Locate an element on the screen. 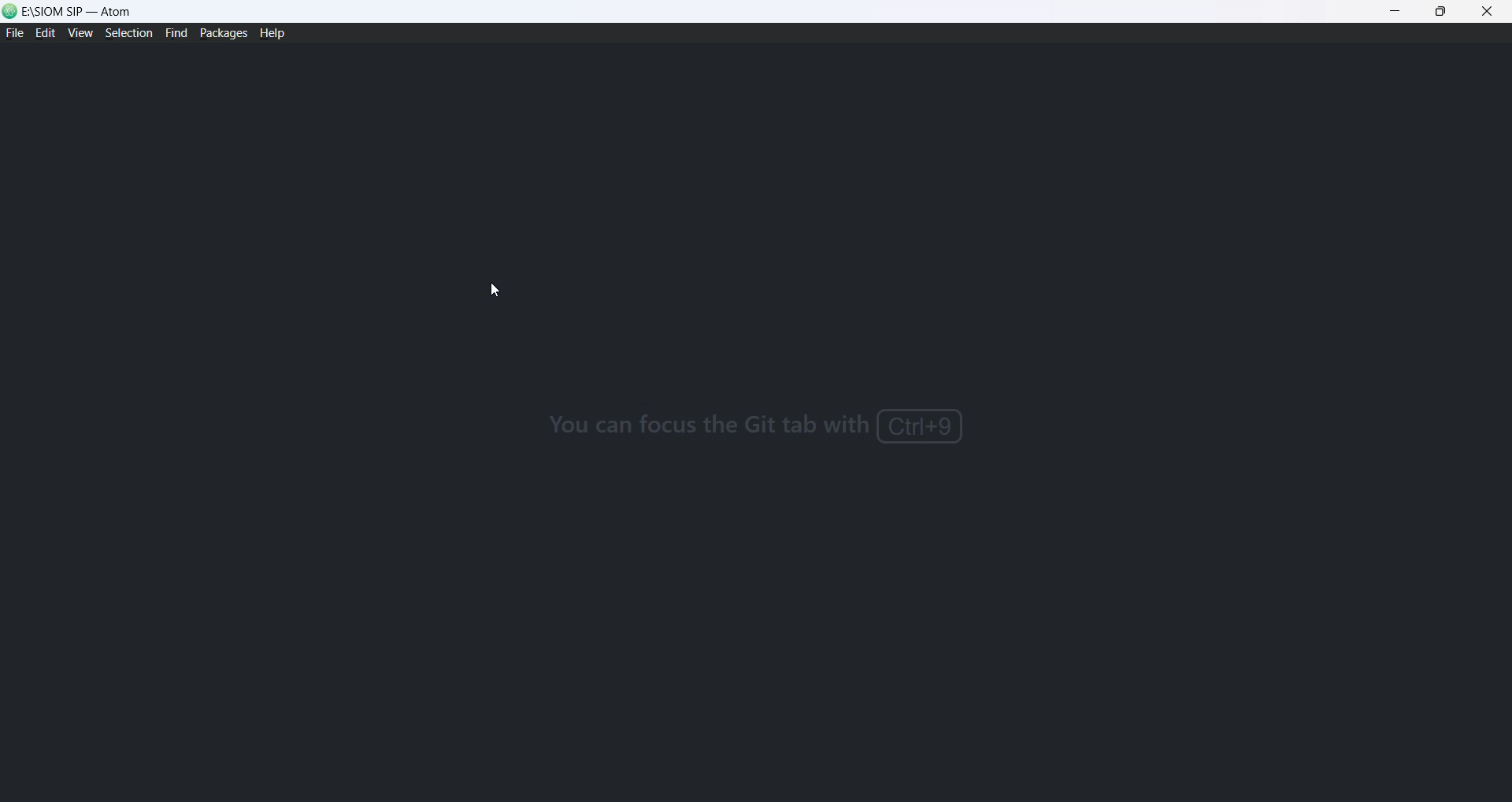 The image size is (1512, 802). you can focus the git tab with ctrl+9 is located at coordinates (769, 421).